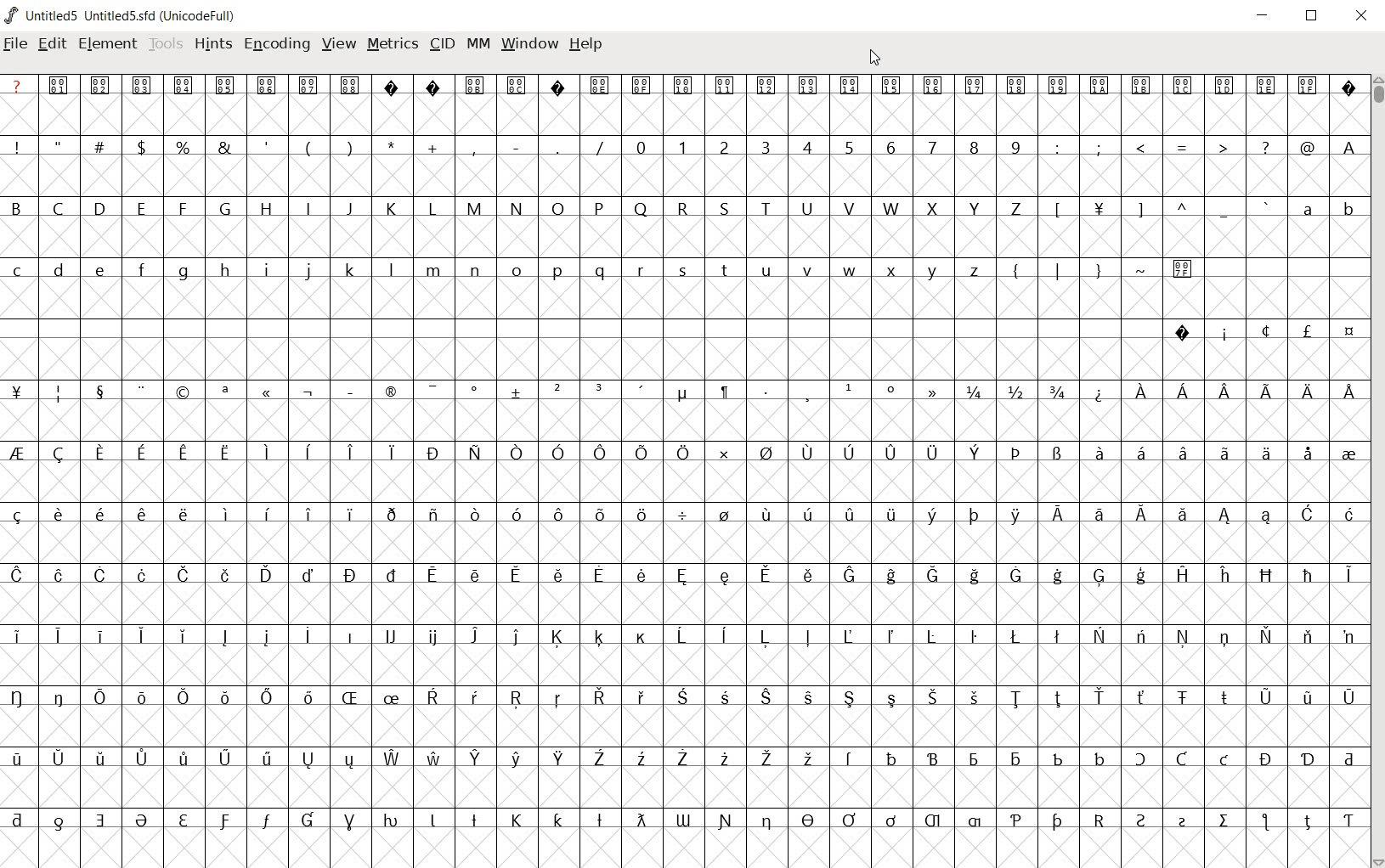  Describe the element at coordinates (597, 210) in the screenshot. I see `P` at that location.